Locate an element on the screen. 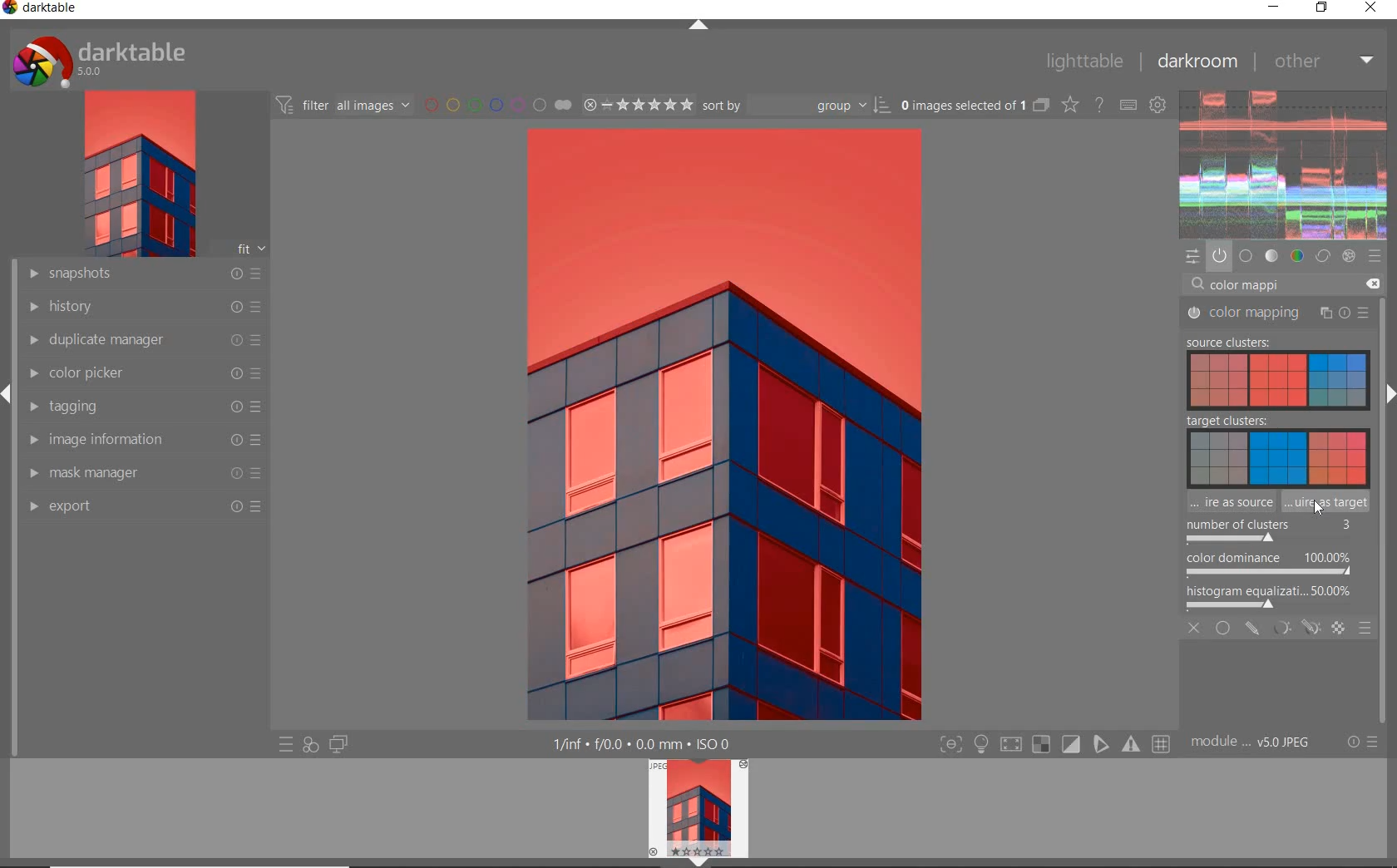 The image size is (1397, 868). darkroom is located at coordinates (1197, 59).